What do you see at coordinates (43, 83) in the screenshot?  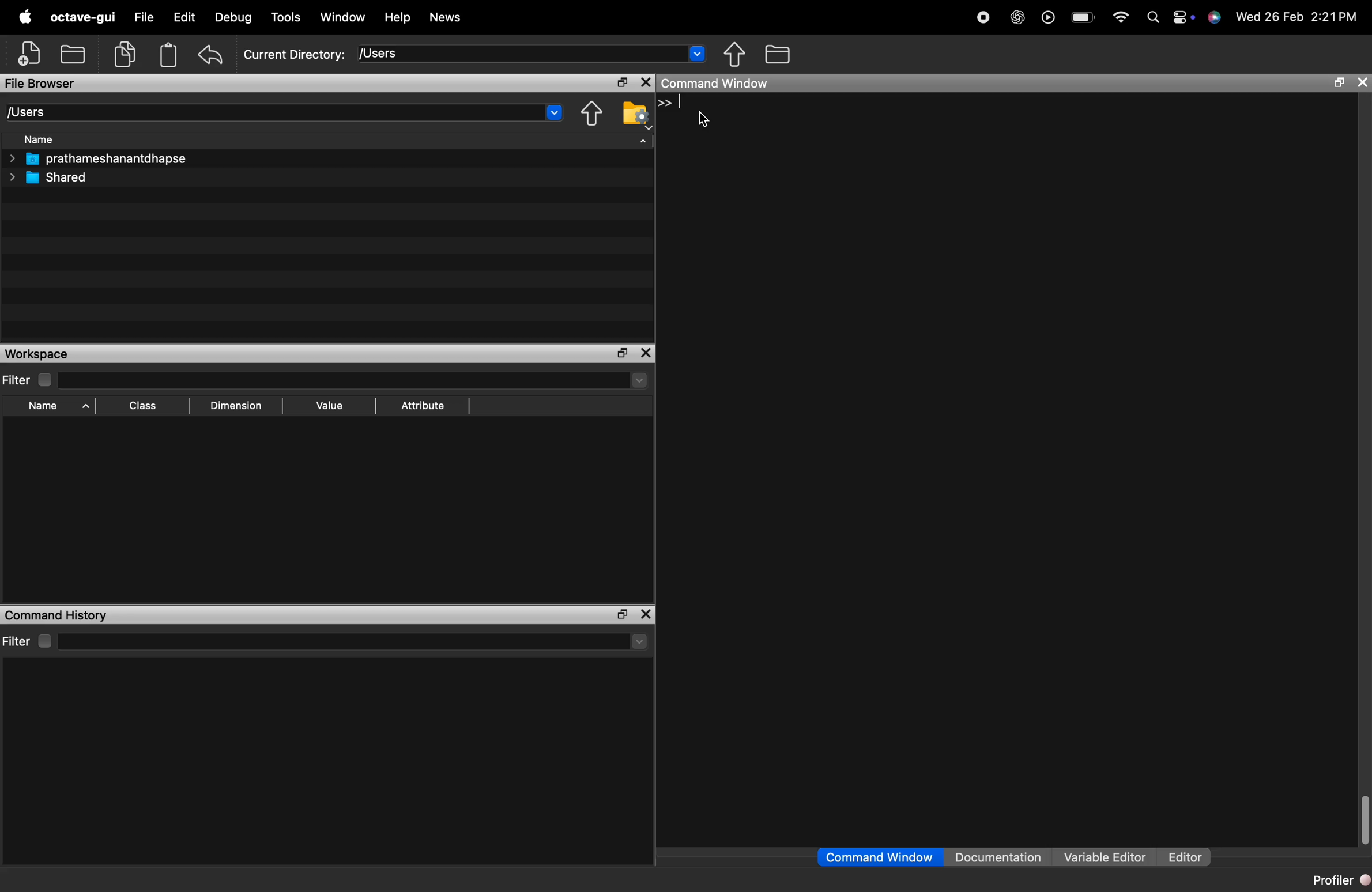 I see `File Browser` at bounding box center [43, 83].